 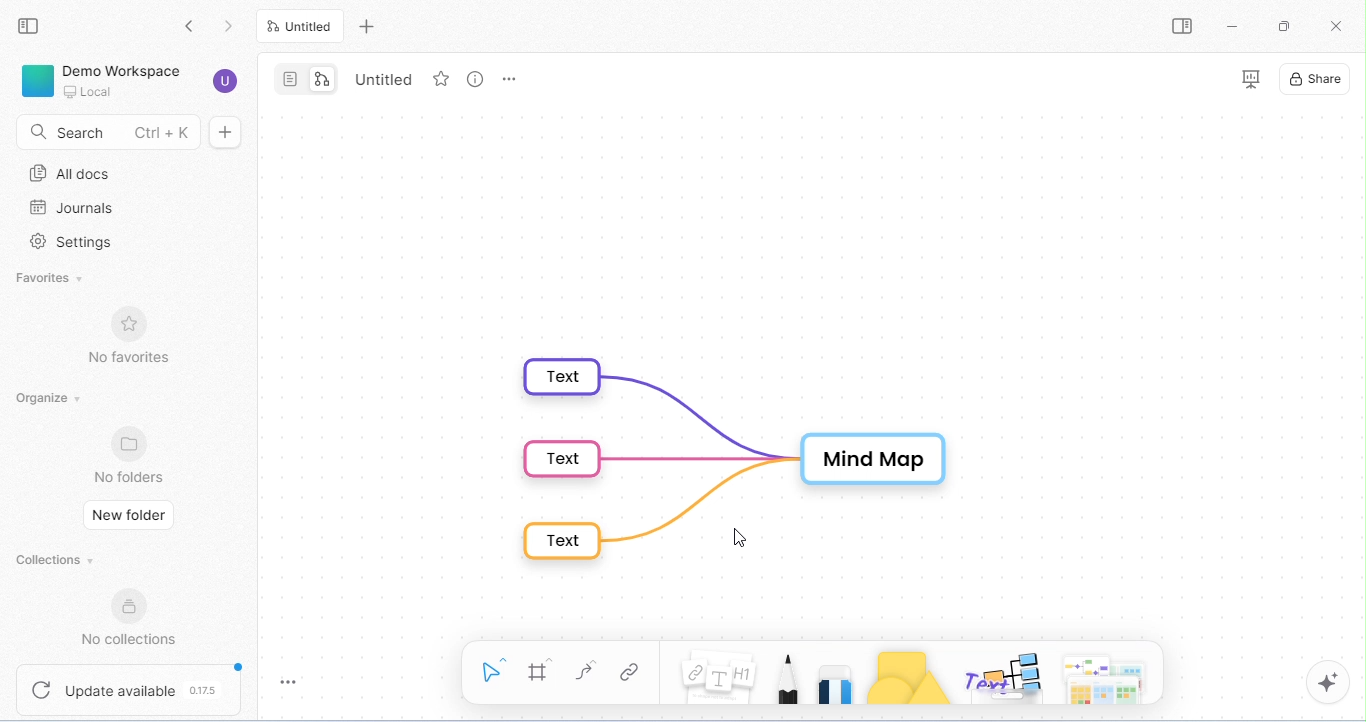 What do you see at coordinates (58, 556) in the screenshot?
I see `collections` at bounding box center [58, 556].